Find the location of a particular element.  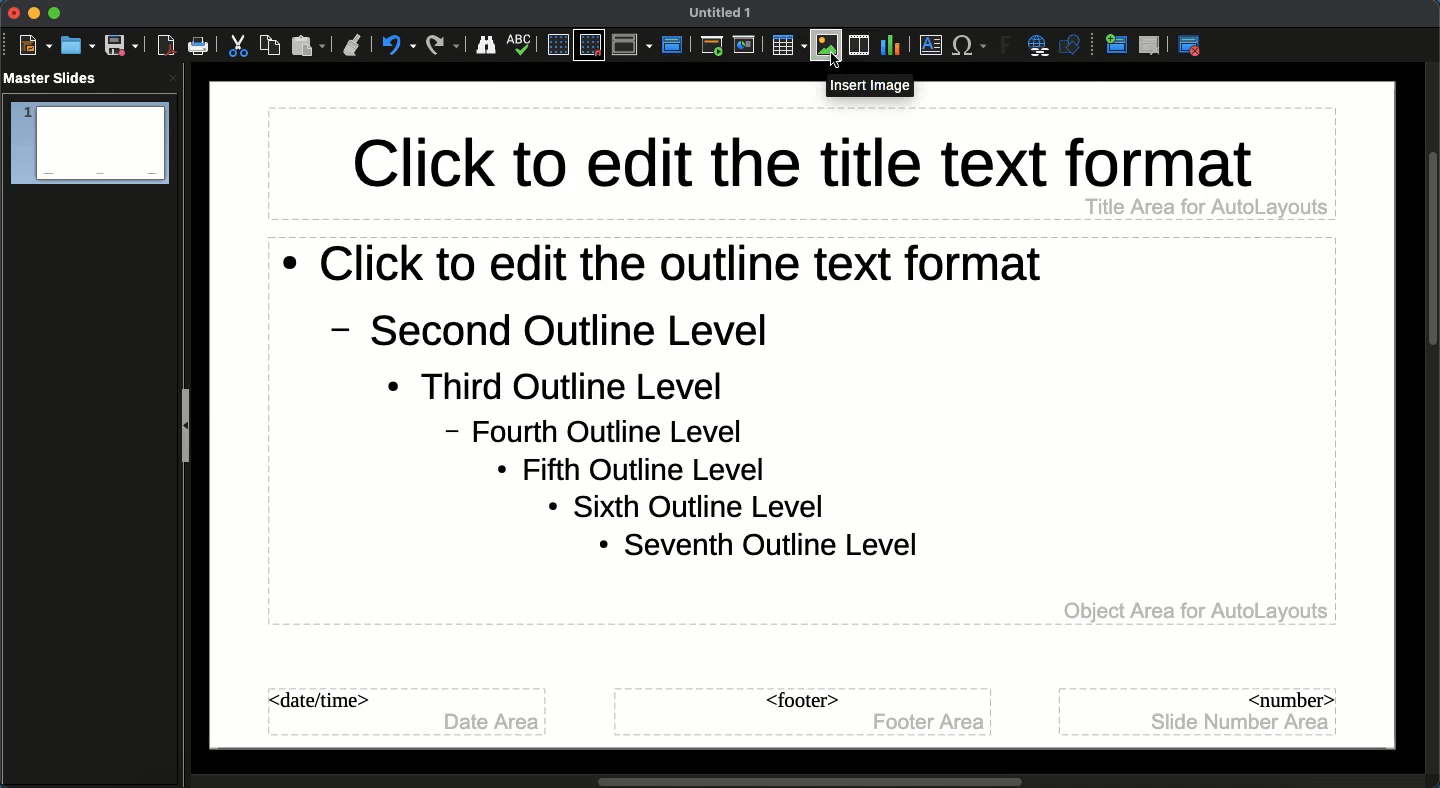

Save is located at coordinates (121, 46).